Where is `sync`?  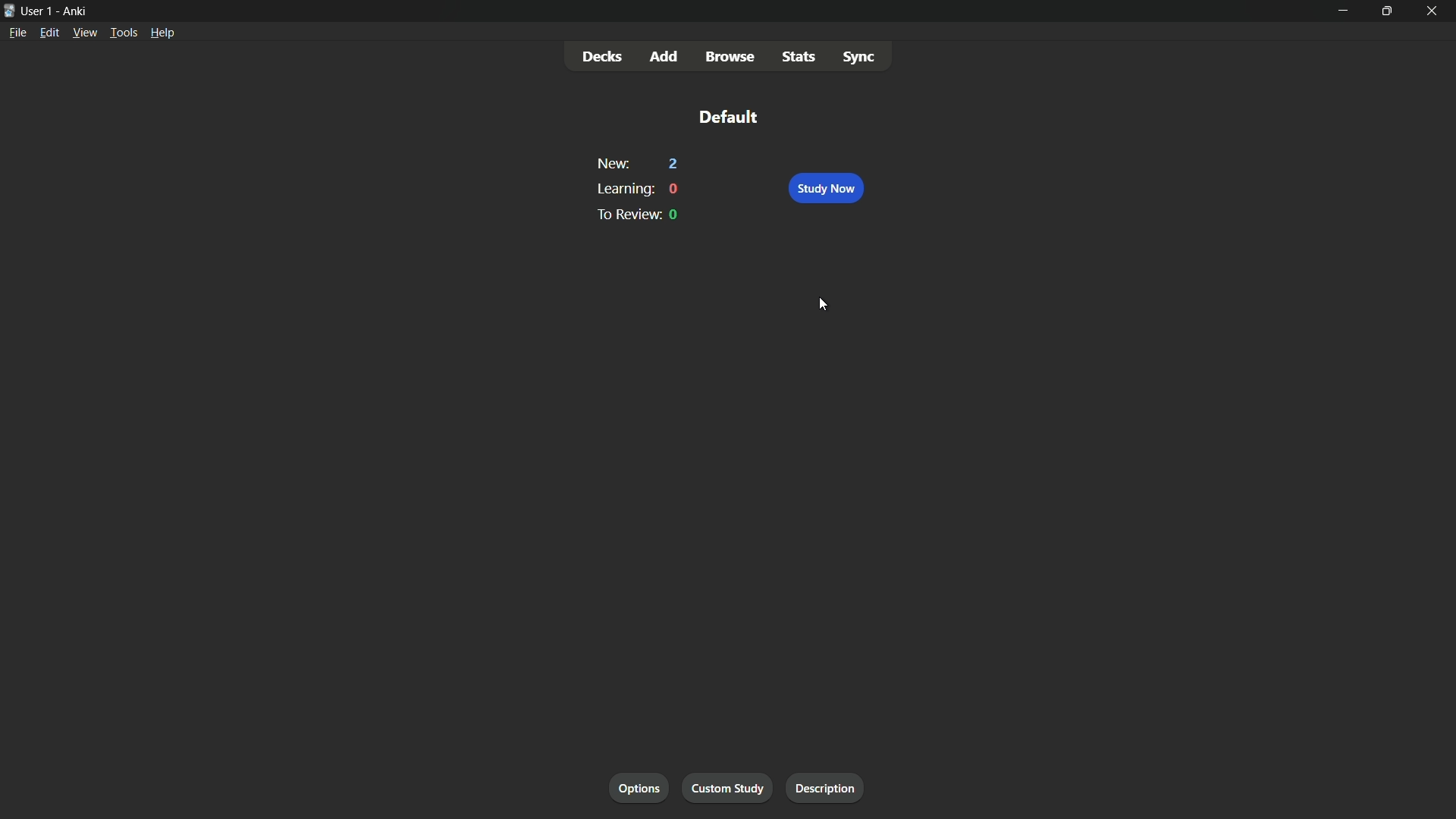 sync is located at coordinates (861, 58).